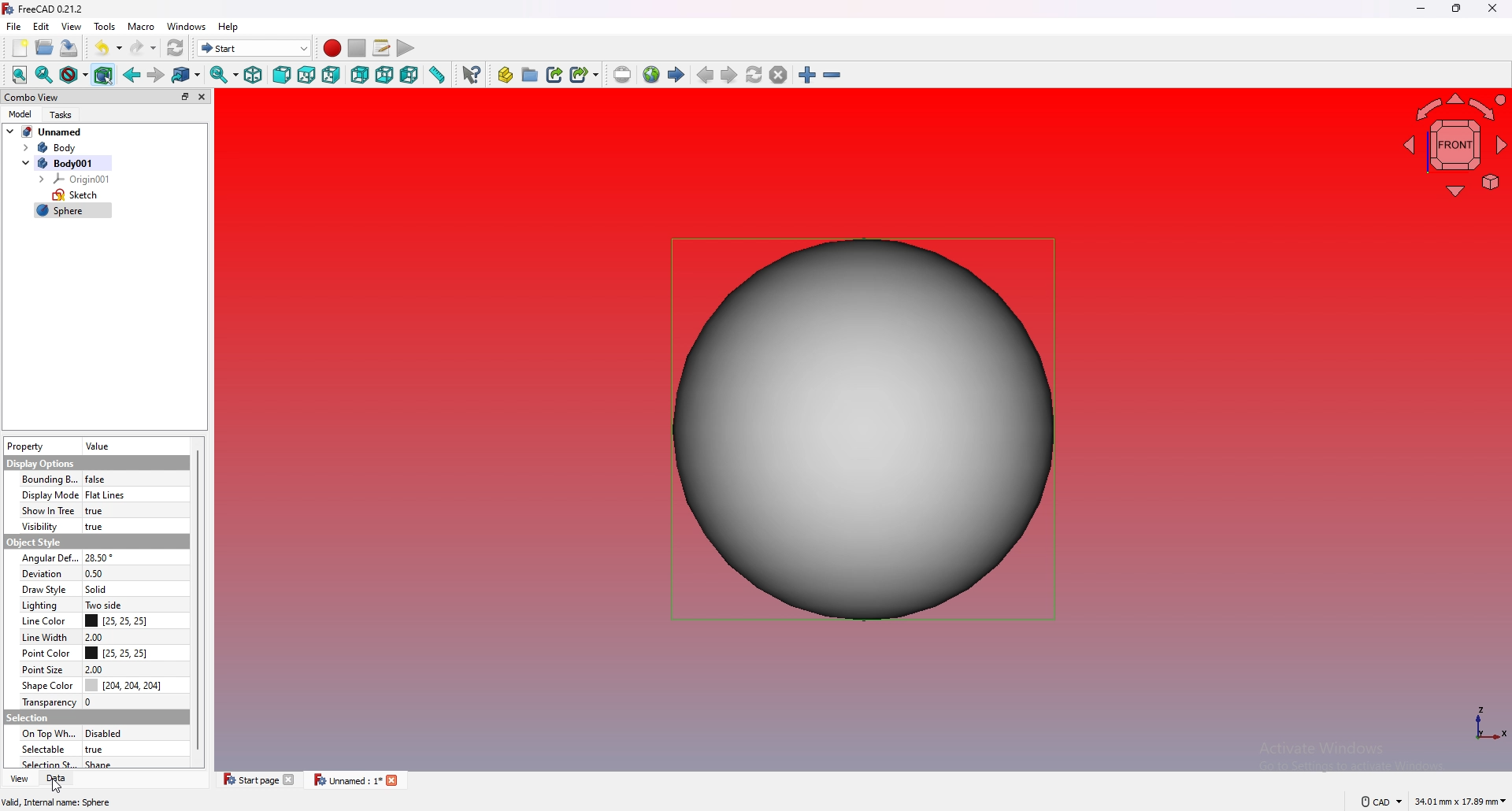 Image resolution: width=1512 pixels, height=811 pixels. I want to click on line color, so click(96, 620).